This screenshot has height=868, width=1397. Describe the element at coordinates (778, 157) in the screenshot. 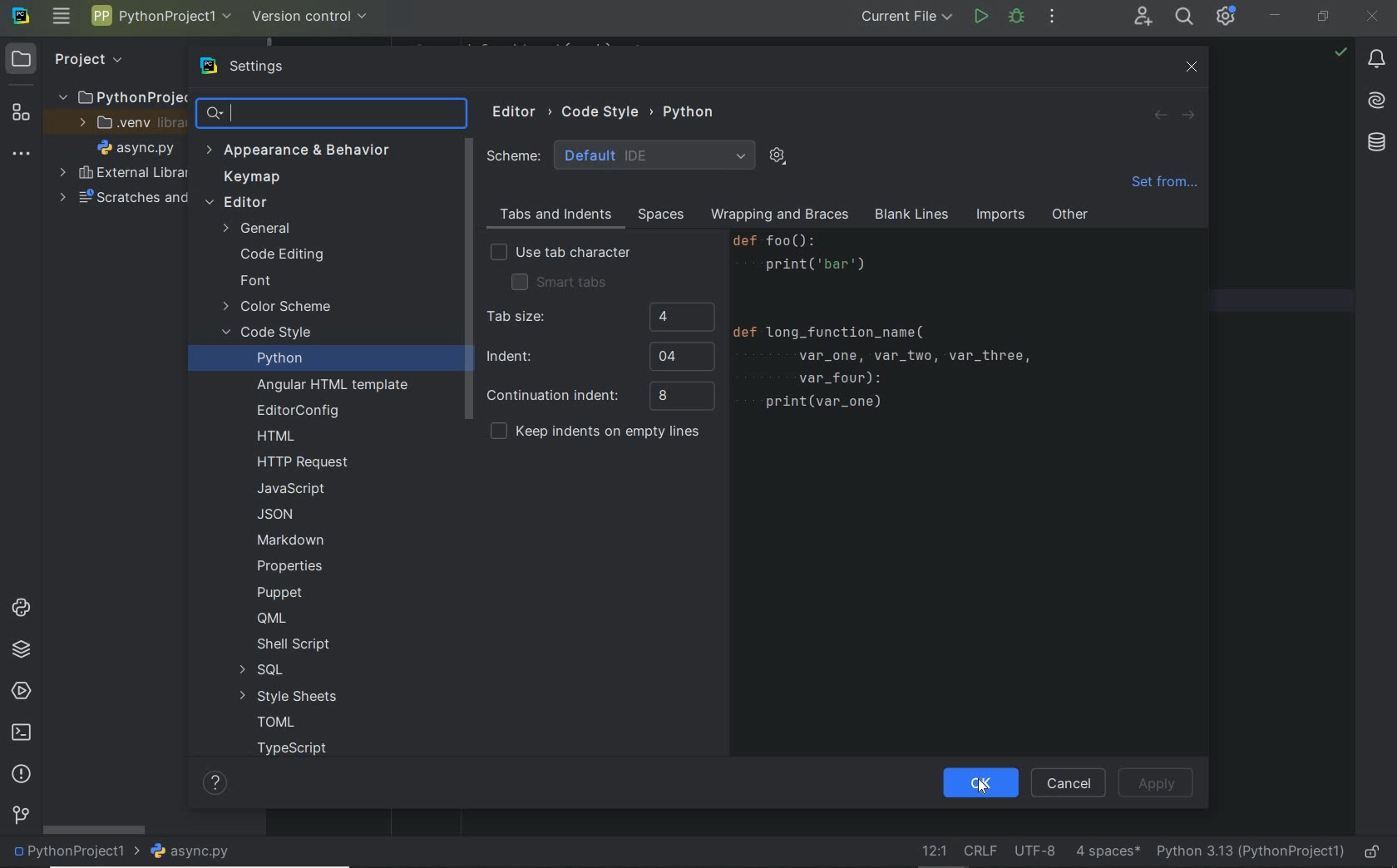

I see `SHOW SCHEME ACTIONS` at that location.